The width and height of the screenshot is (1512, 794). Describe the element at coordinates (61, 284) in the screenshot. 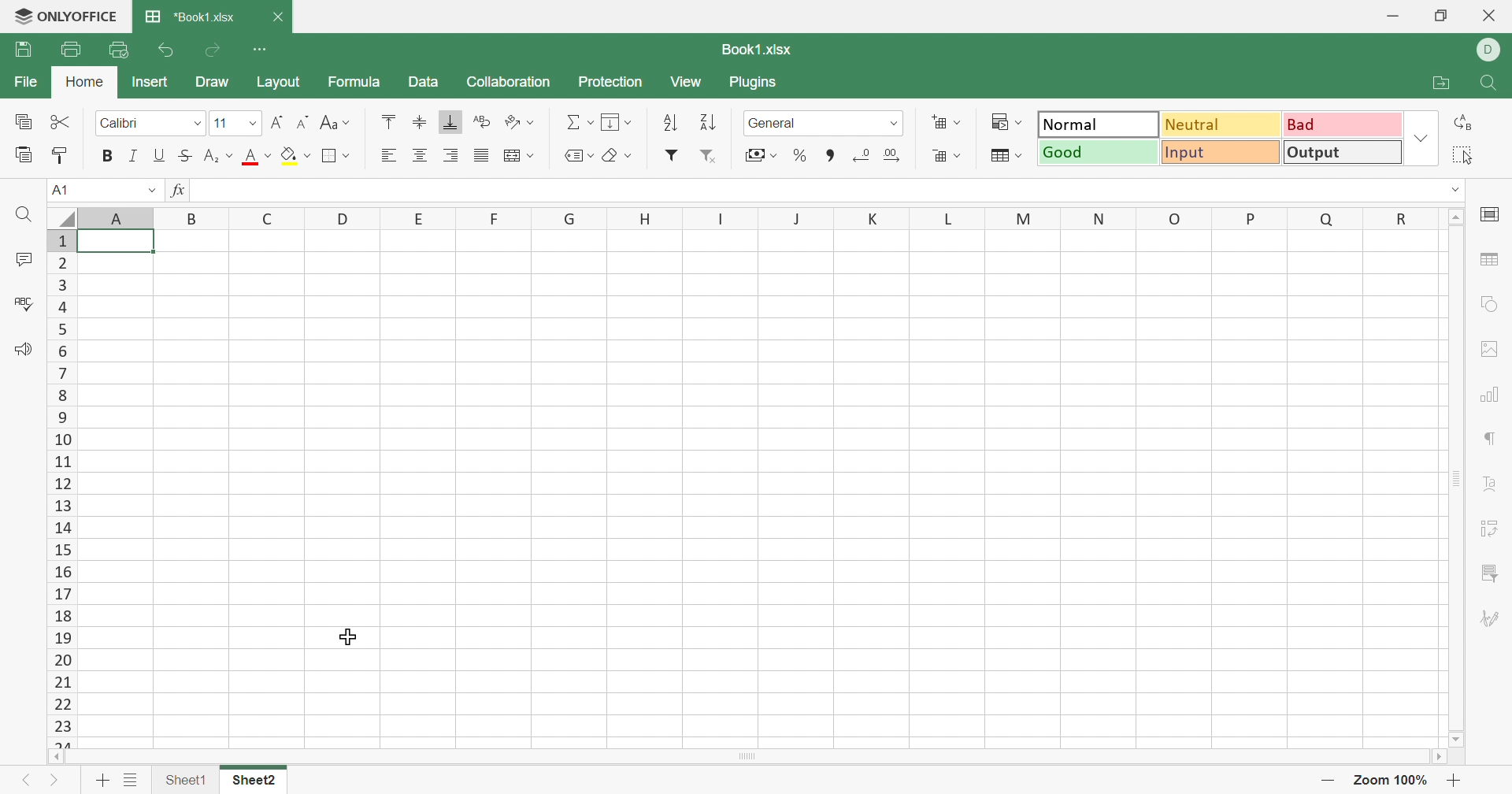

I see `3` at that location.